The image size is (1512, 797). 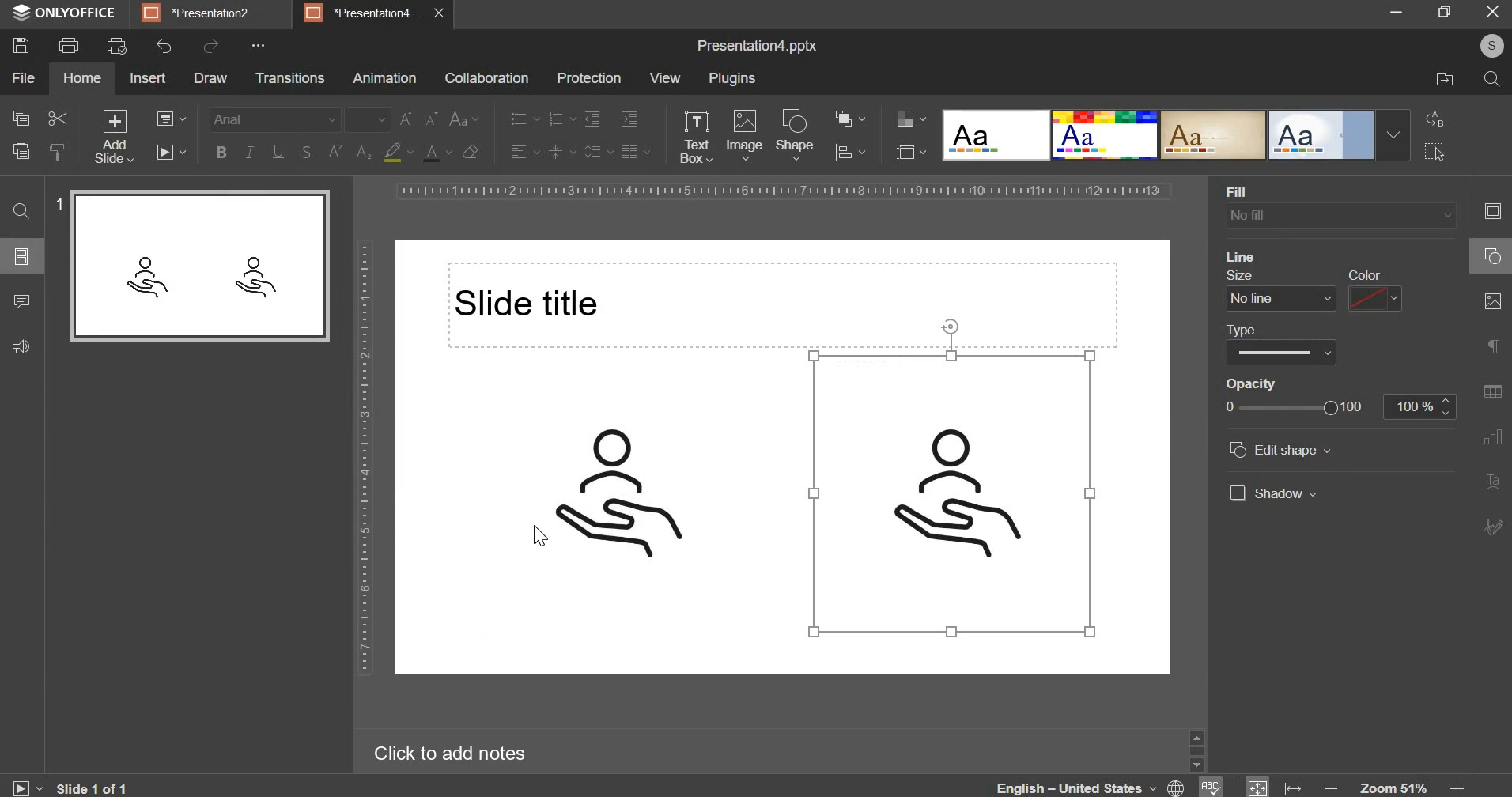 What do you see at coordinates (57, 119) in the screenshot?
I see `cut` at bounding box center [57, 119].